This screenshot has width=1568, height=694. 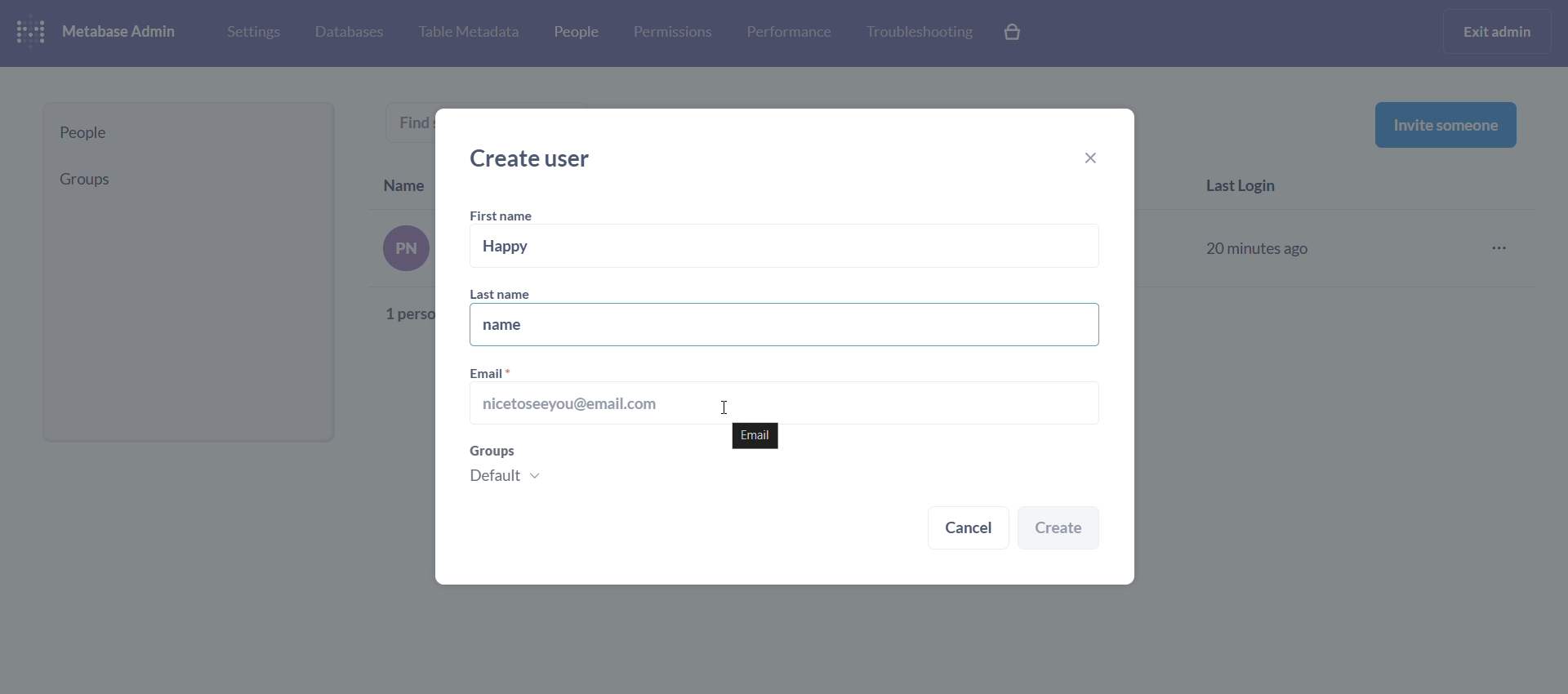 I want to click on create, so click(x=1059, y=529).